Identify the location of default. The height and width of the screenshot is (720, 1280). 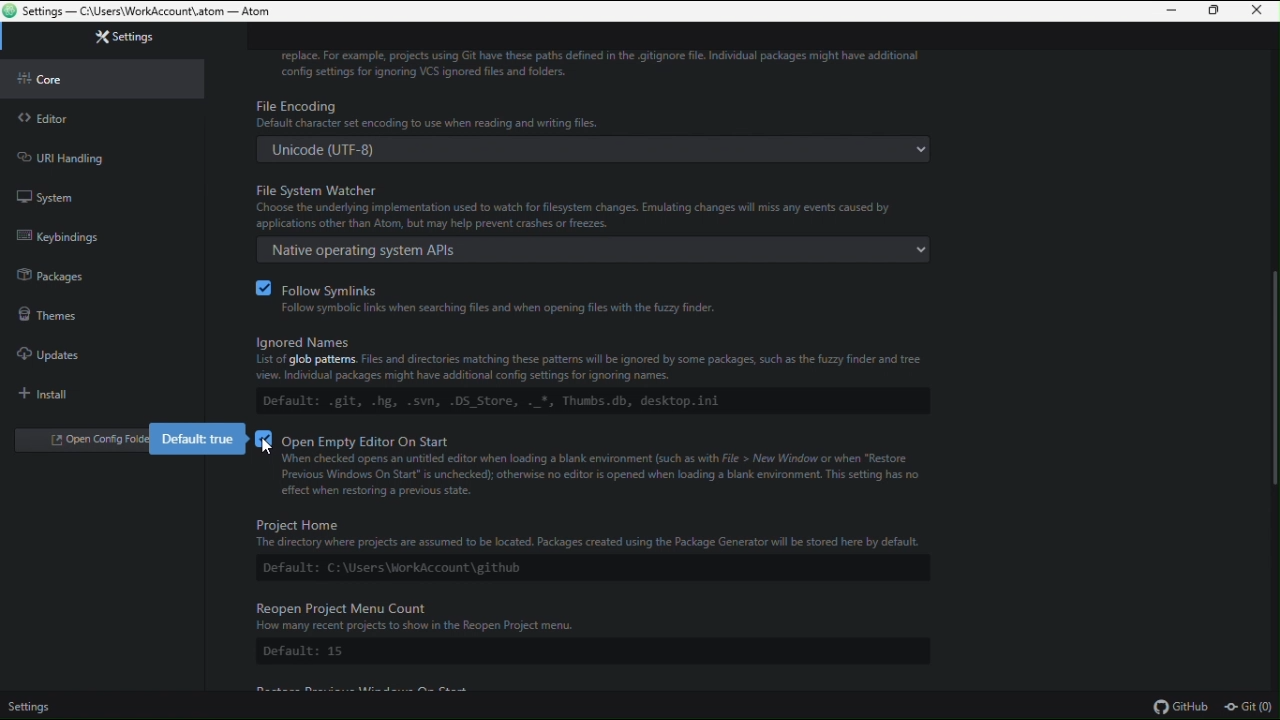
(591, 653).